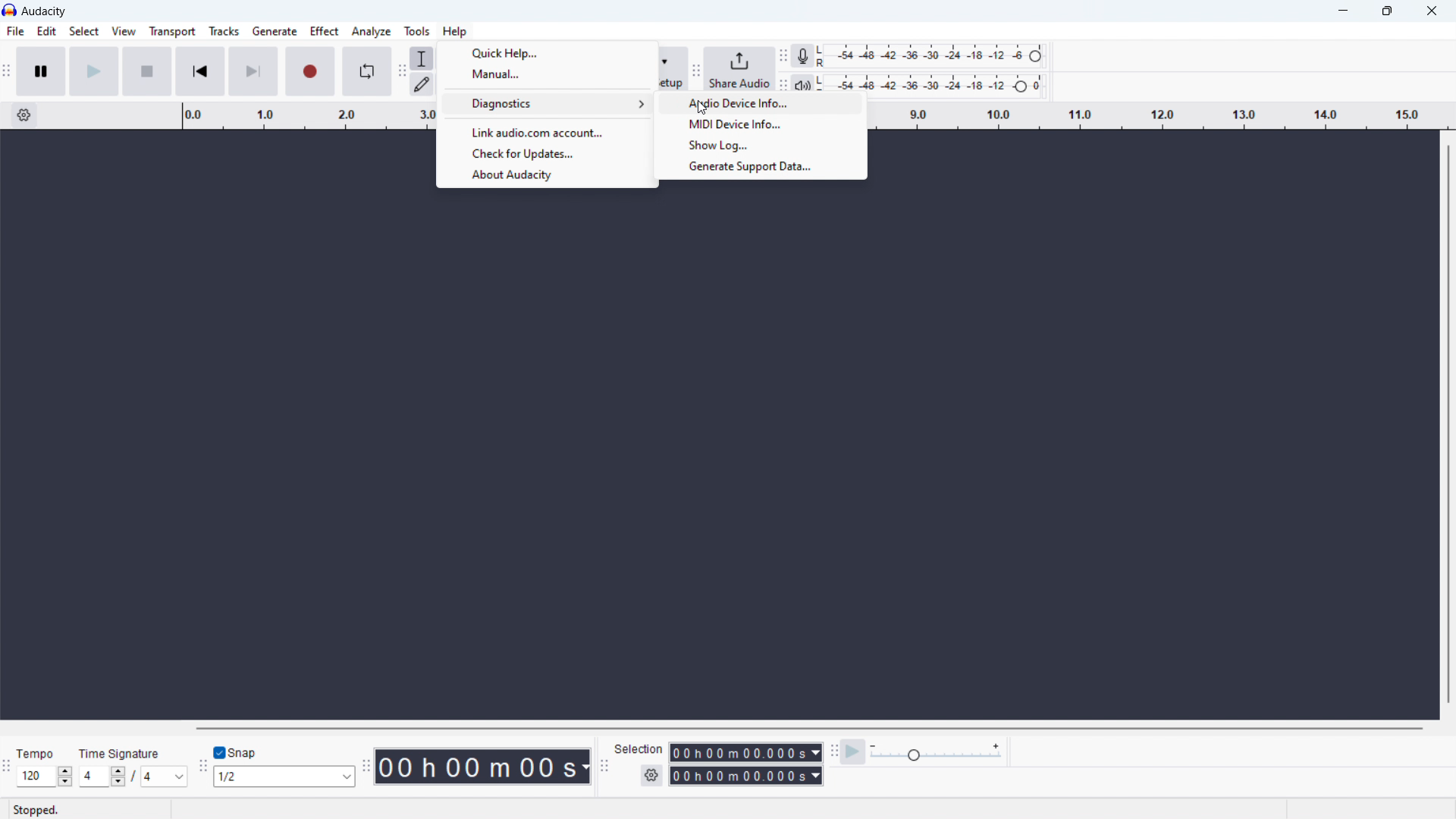 The image size is (1456, 819). What do you see at coordinates (931, 80) in the screenshot?
I see `playback level` at bounding box center [931, 80].